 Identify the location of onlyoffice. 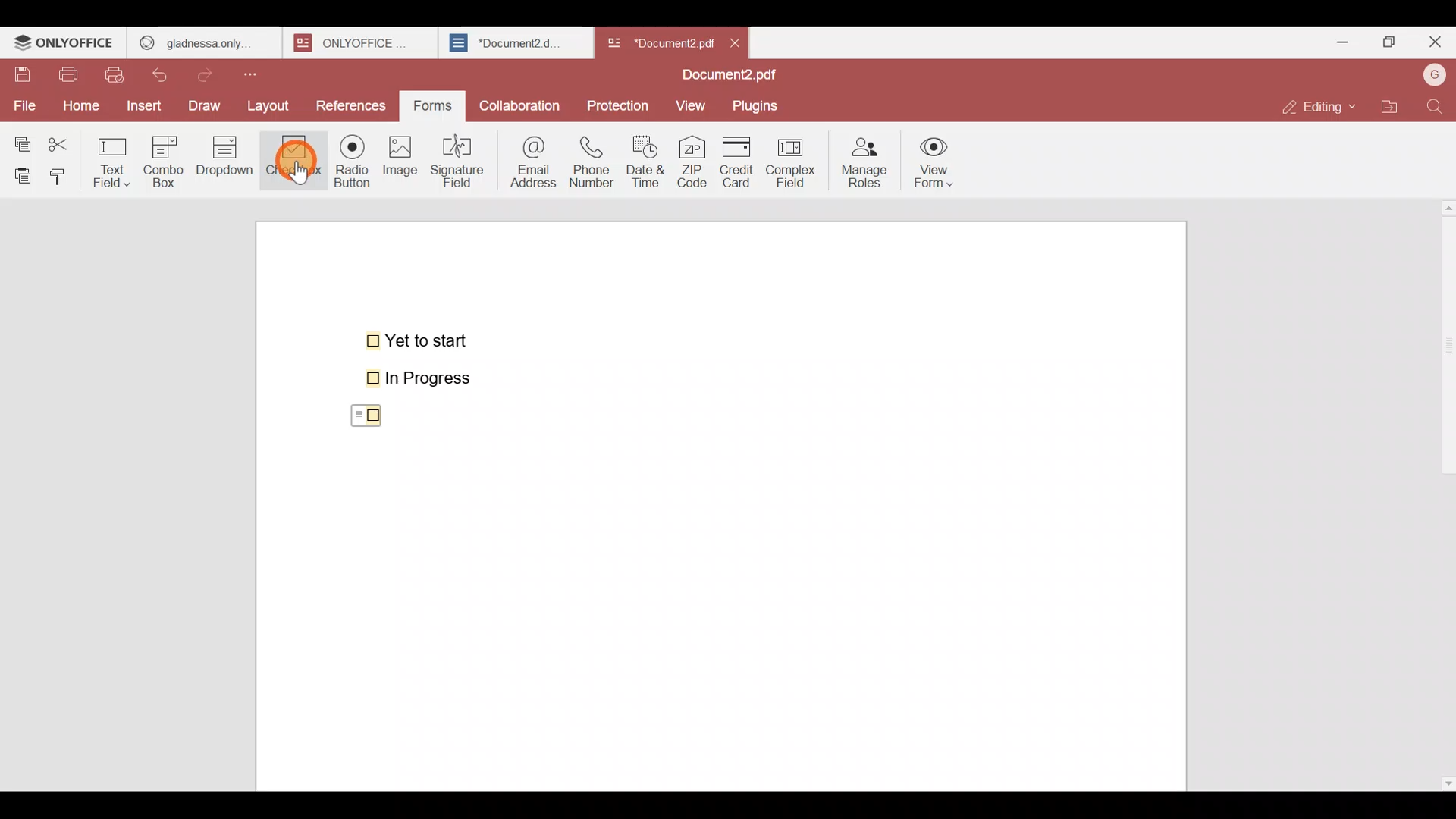
(355, 42).